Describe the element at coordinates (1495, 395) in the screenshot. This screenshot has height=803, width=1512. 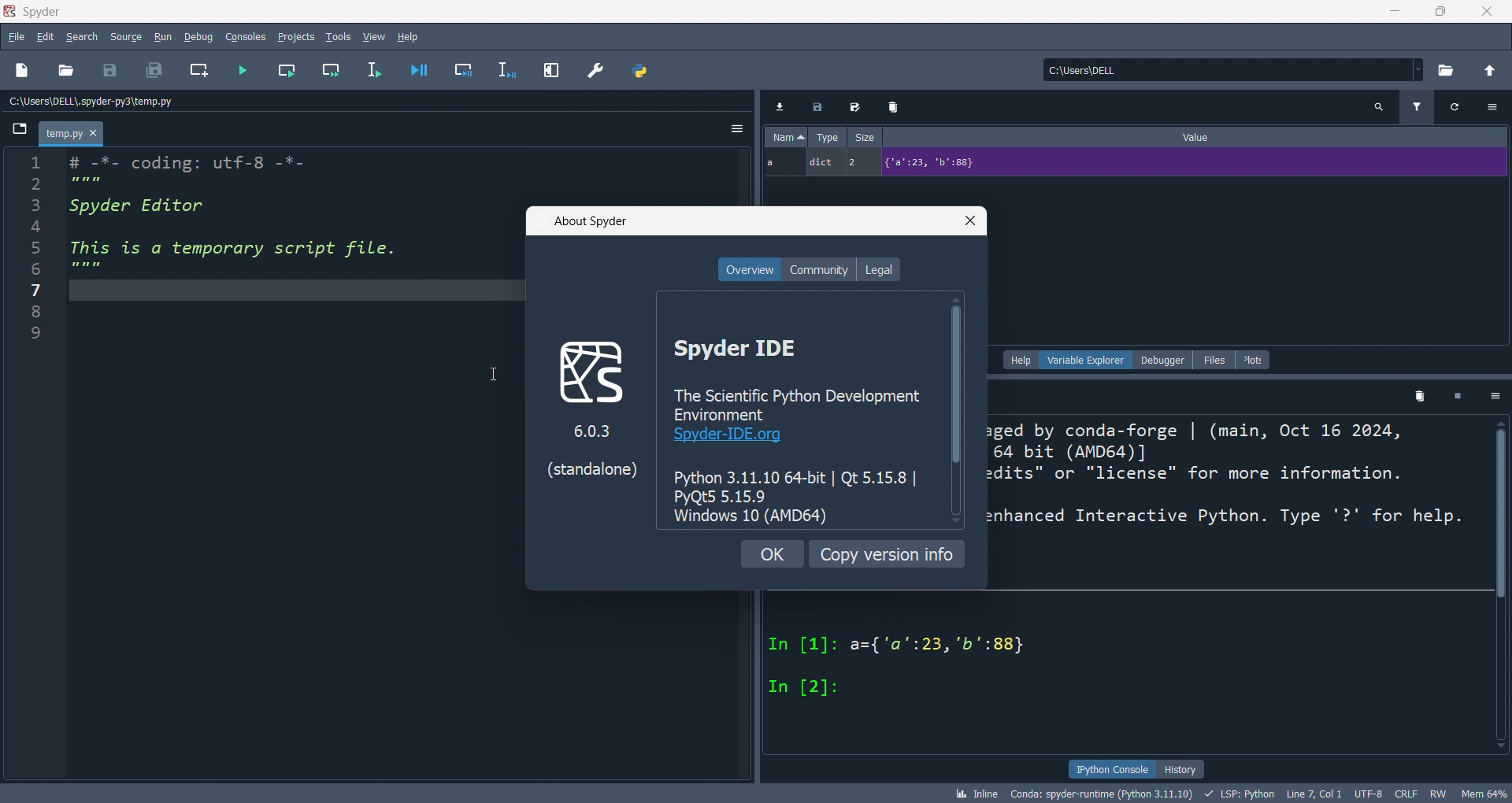
I see `Settings` at that location.